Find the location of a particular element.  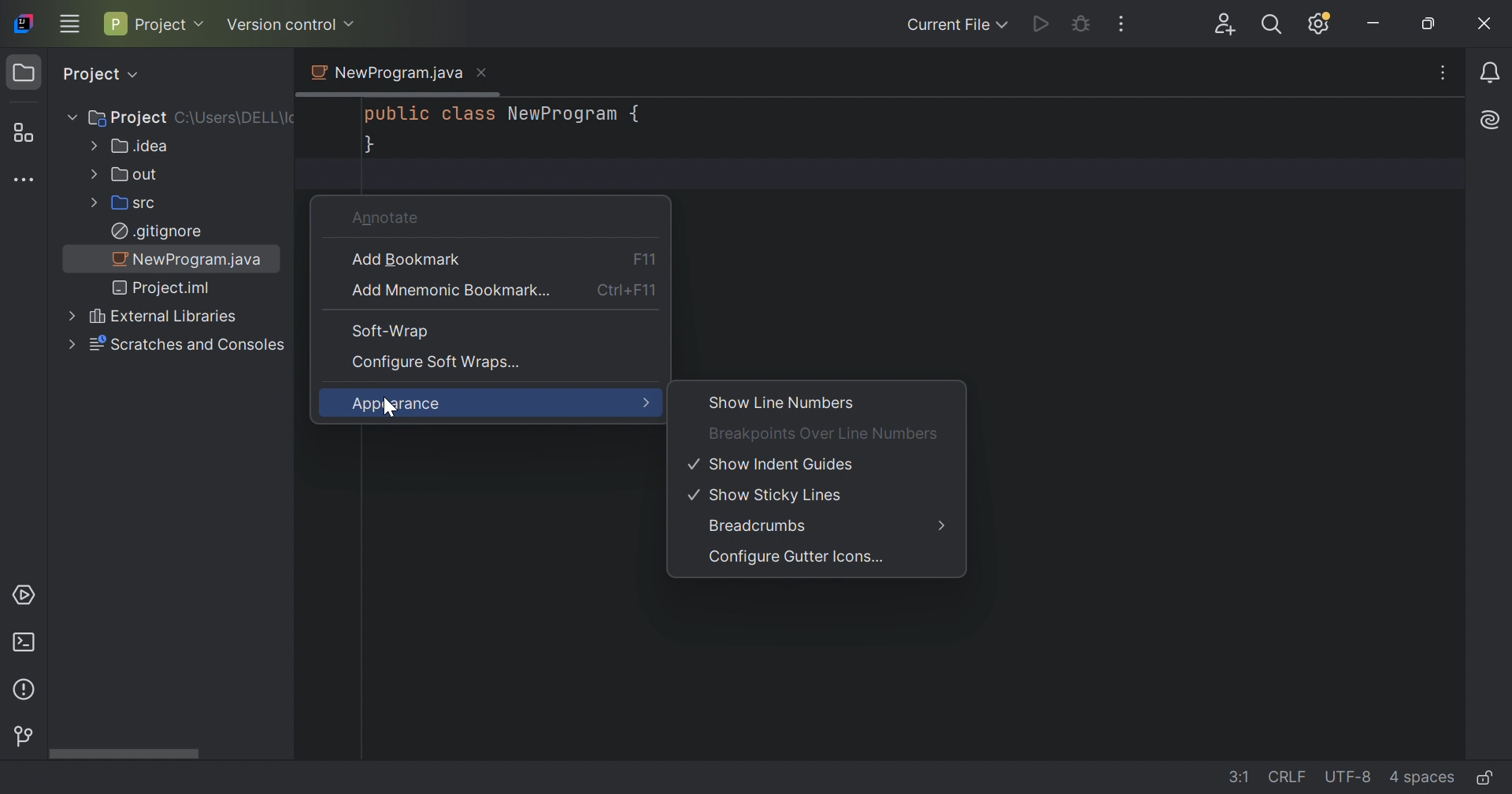

Updates Available. IDE and Project settings is located at coordinates (1321, 25).